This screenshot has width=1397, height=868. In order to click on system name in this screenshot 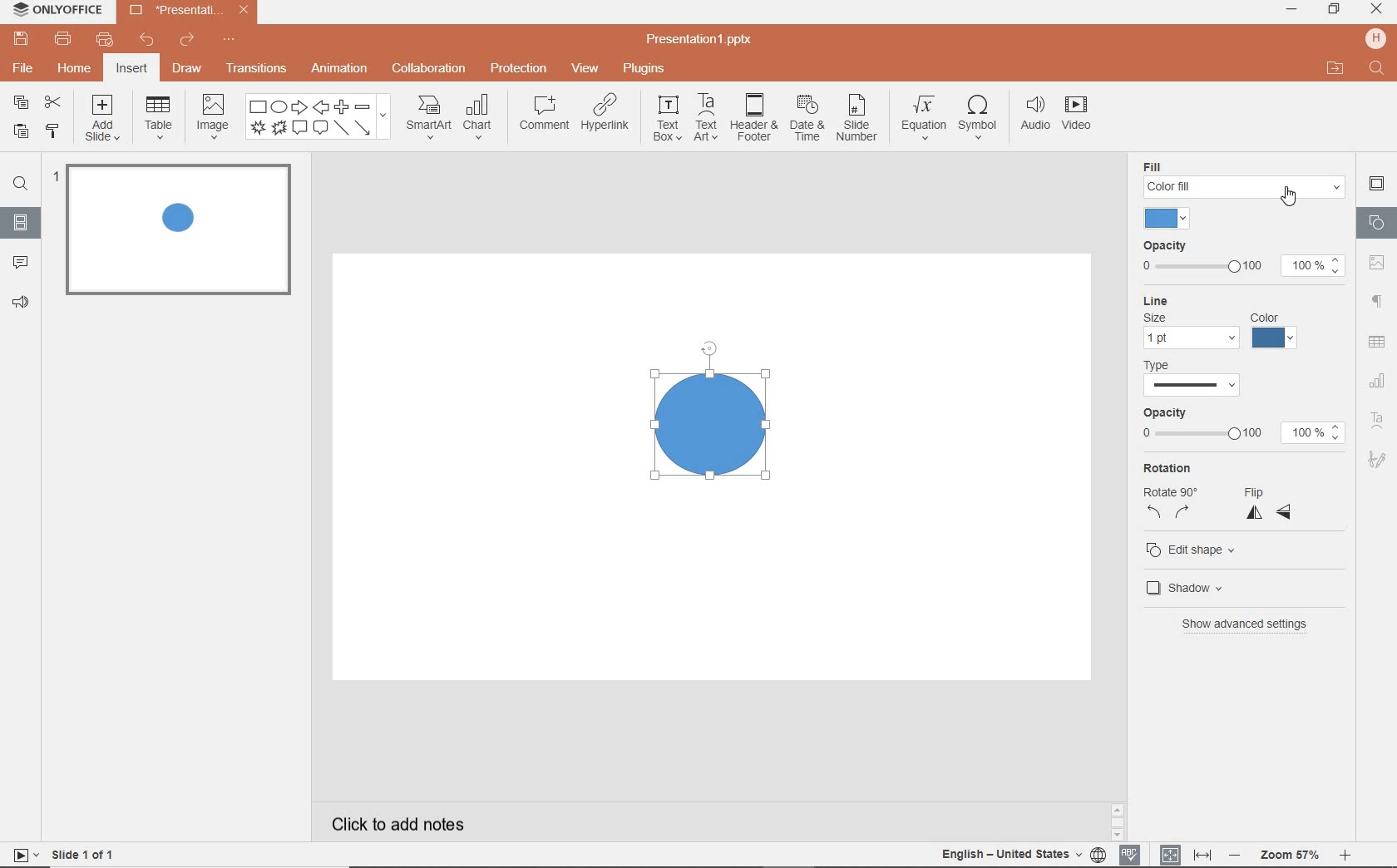, I will do `click(55, 11)`.